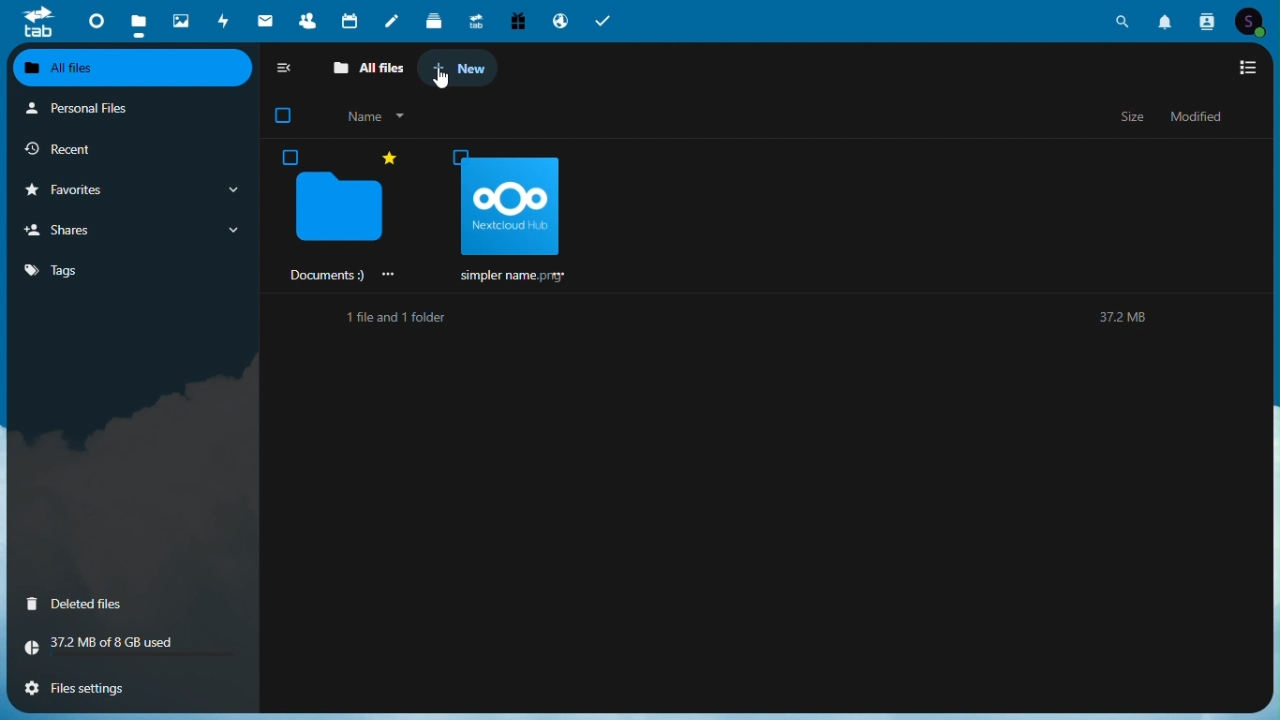 This screenshot has width=1280, height=720. I want to click on Size, so click(1133, 119).